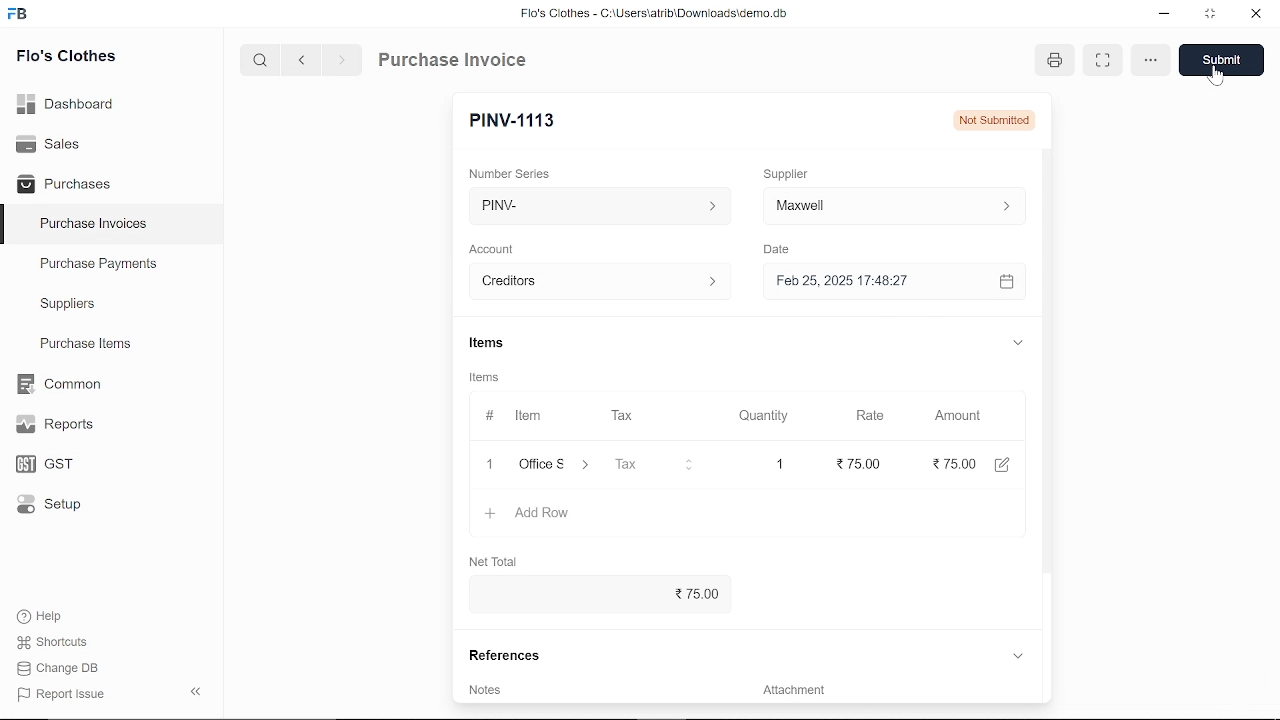  What do you see at coordinates (1017, 655) in the screenshot?
I see `expand` at bounding box center [1017, 655].